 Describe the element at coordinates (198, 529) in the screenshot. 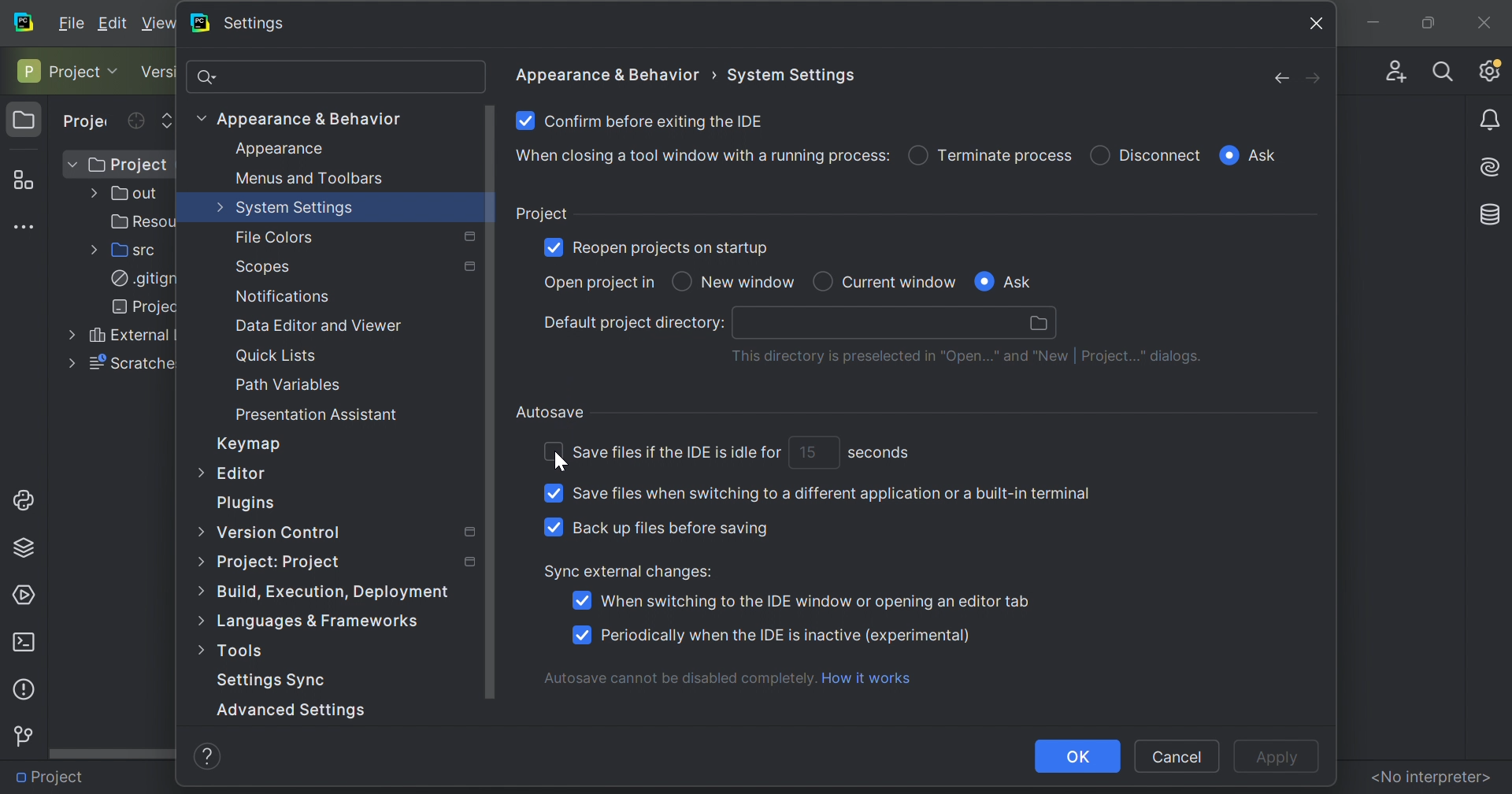

I see `More` at that location.